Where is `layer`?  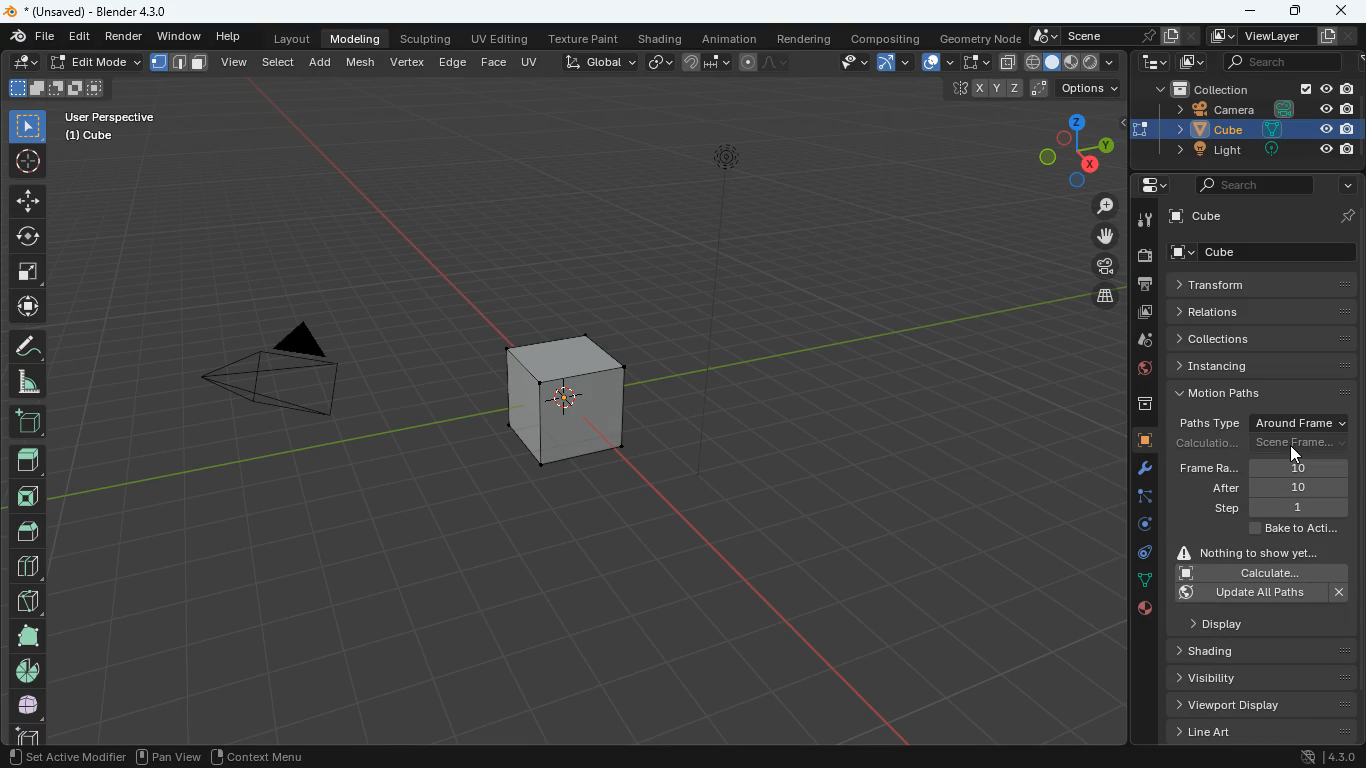 layer is located at coordinates (1099, 296).